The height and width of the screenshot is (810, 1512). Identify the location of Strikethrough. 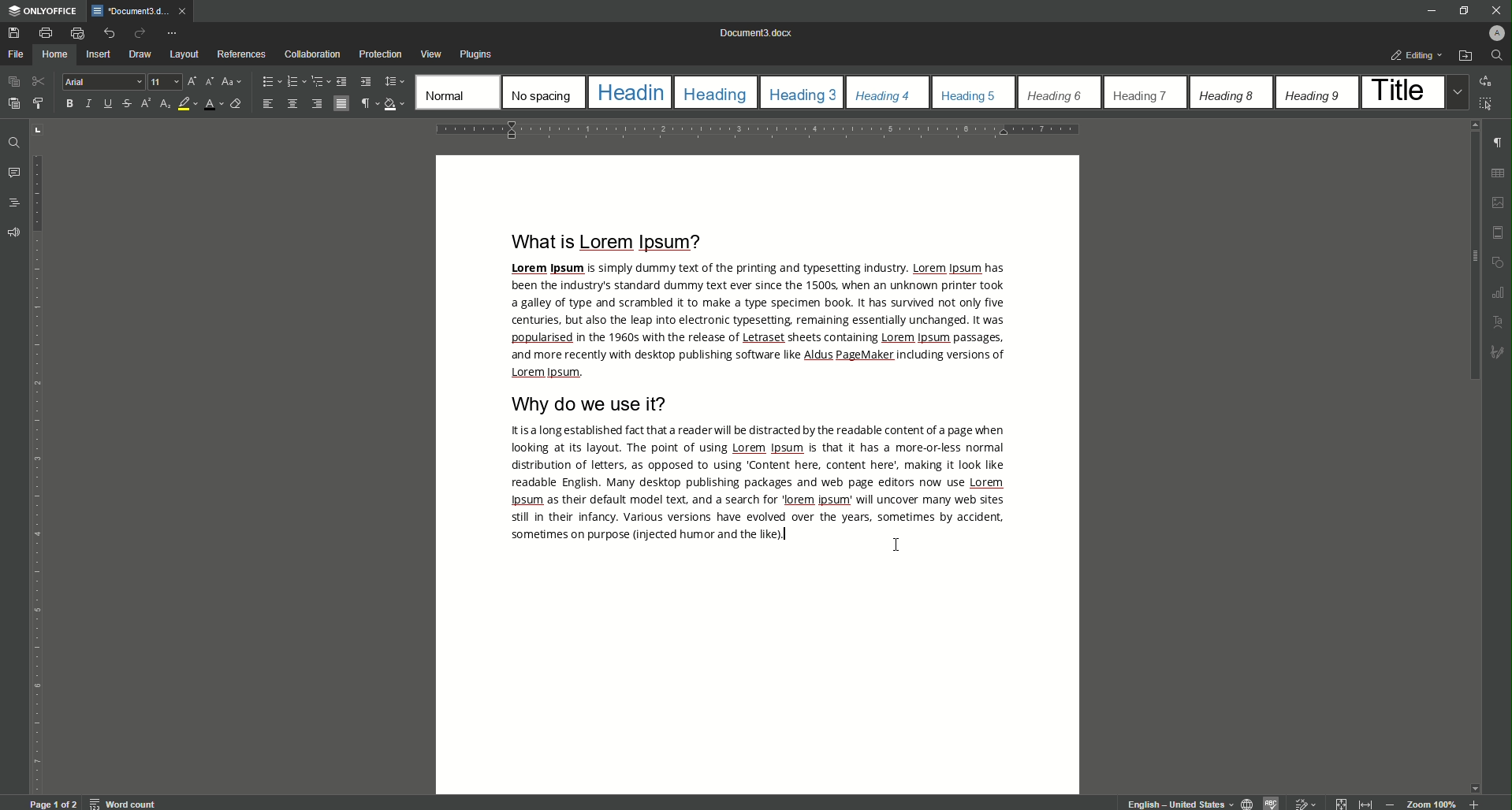
(125, 104).